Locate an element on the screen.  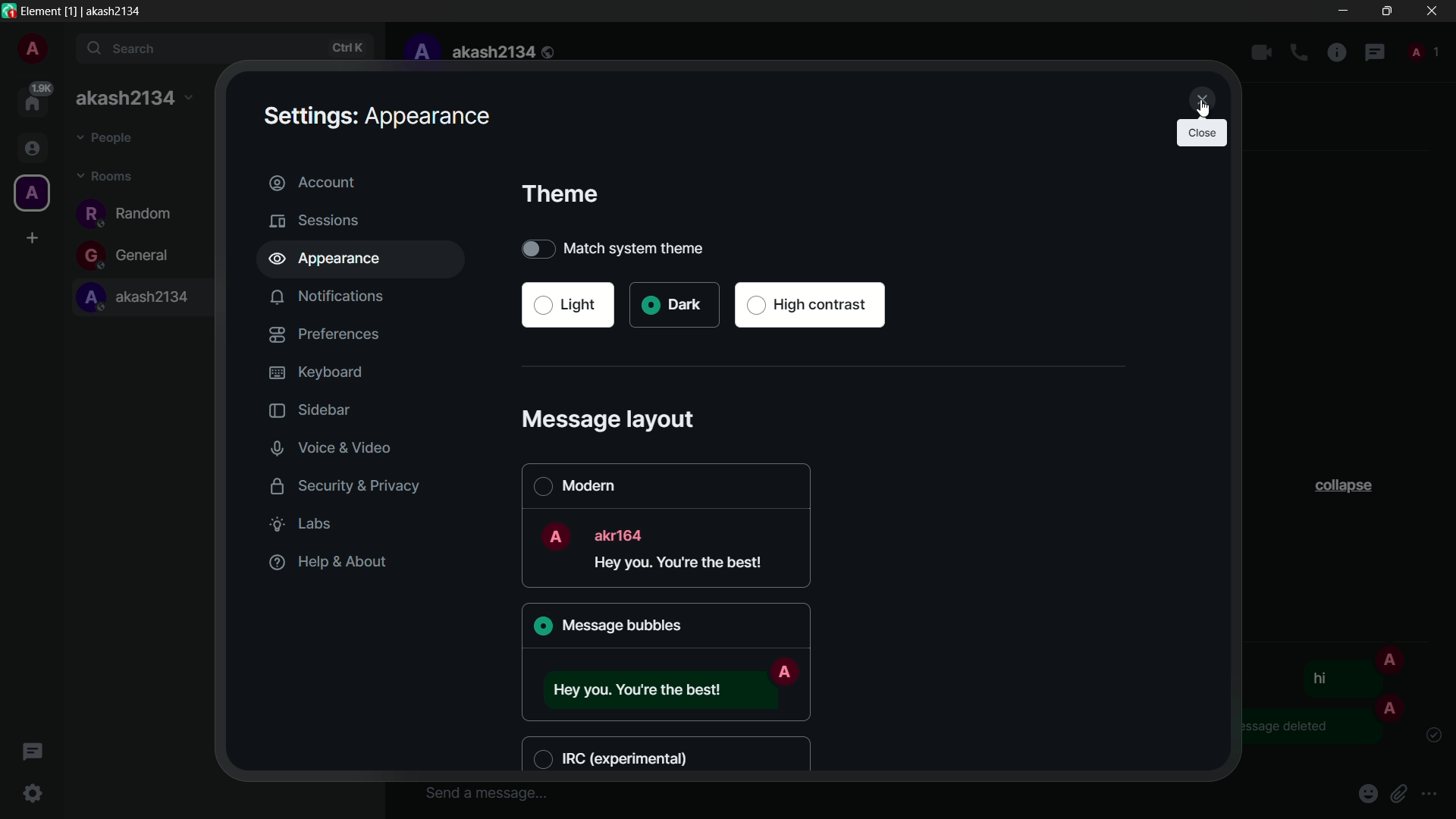
help and about is located at coordinates (326, 562).